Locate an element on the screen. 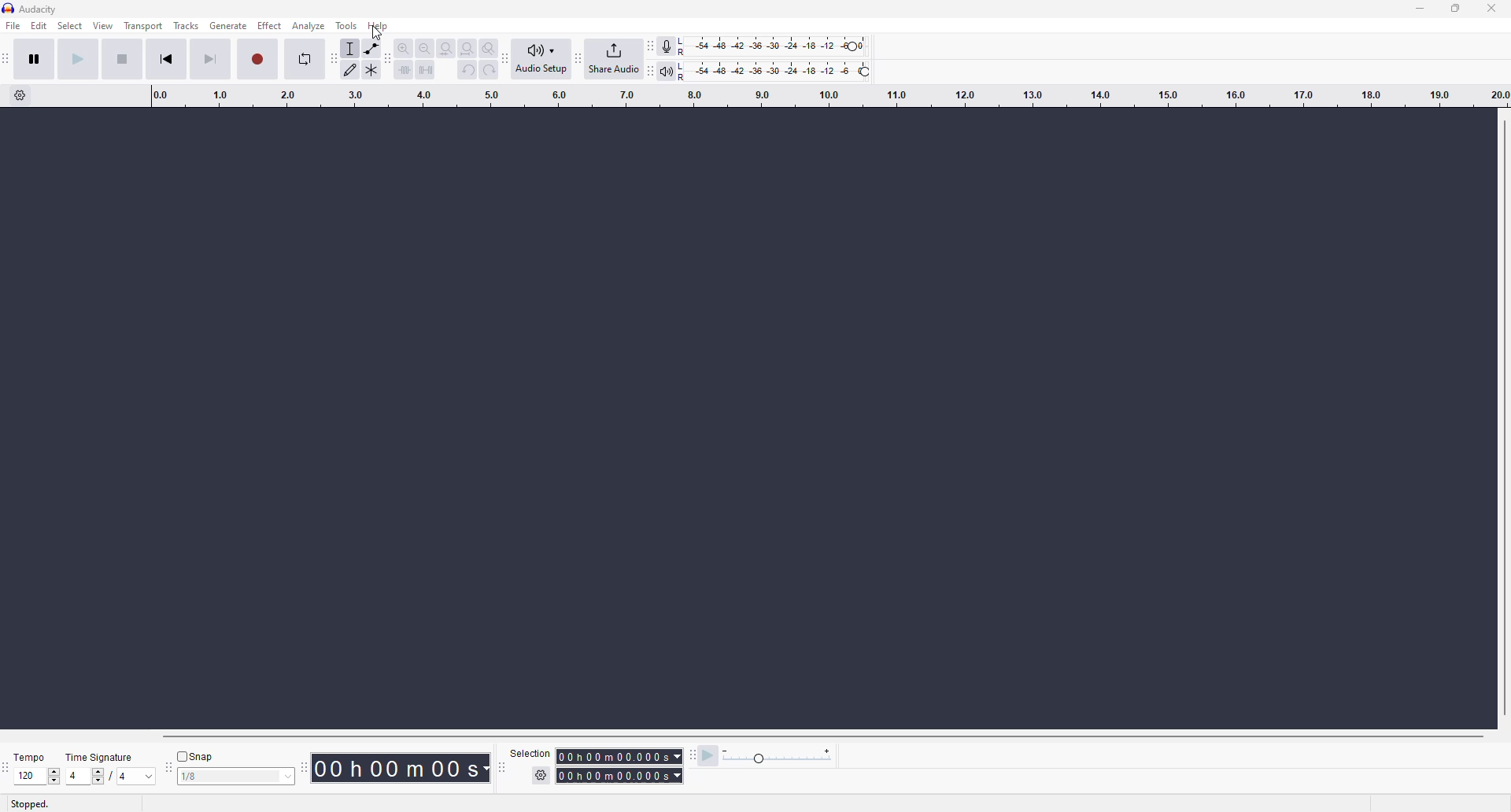 This screenshot has width=1511, height=812. audio setup is located at coordinates (541, 59).